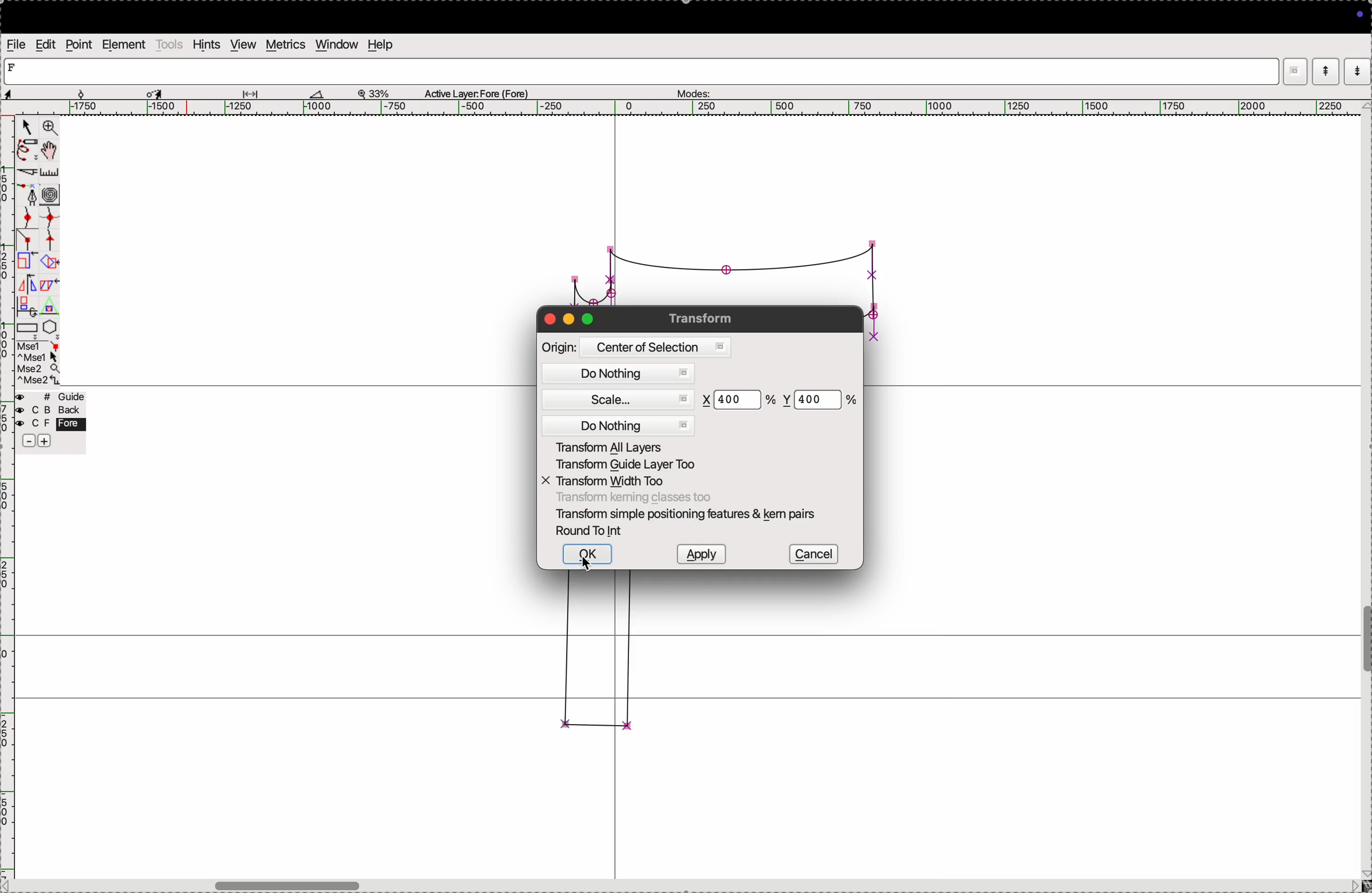 The height and width of the screenshot is (893, 1372). Describe the element at coordinates (254, 93) in the screenshot. I see `glide` at that location.